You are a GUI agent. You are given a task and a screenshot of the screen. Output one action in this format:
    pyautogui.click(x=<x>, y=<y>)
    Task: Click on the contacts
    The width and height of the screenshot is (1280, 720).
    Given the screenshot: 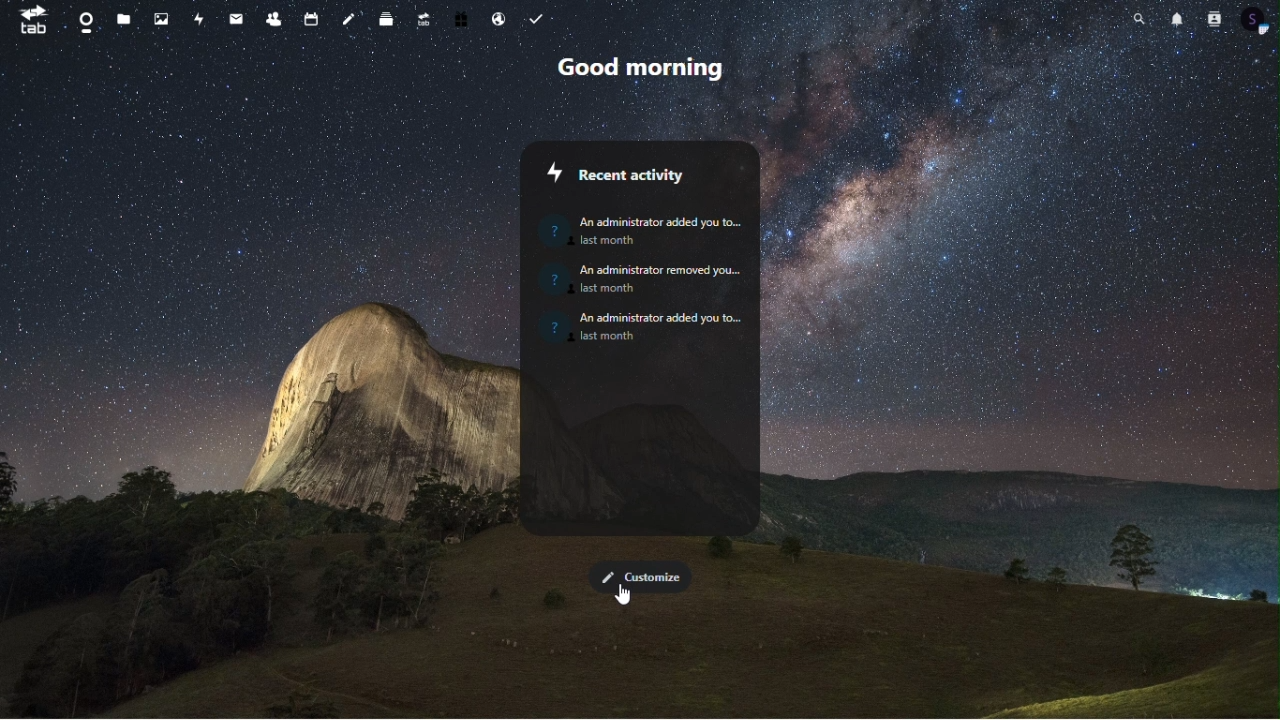 What is the action you would take?
    pyautogui.click(x=276, y=20)
    